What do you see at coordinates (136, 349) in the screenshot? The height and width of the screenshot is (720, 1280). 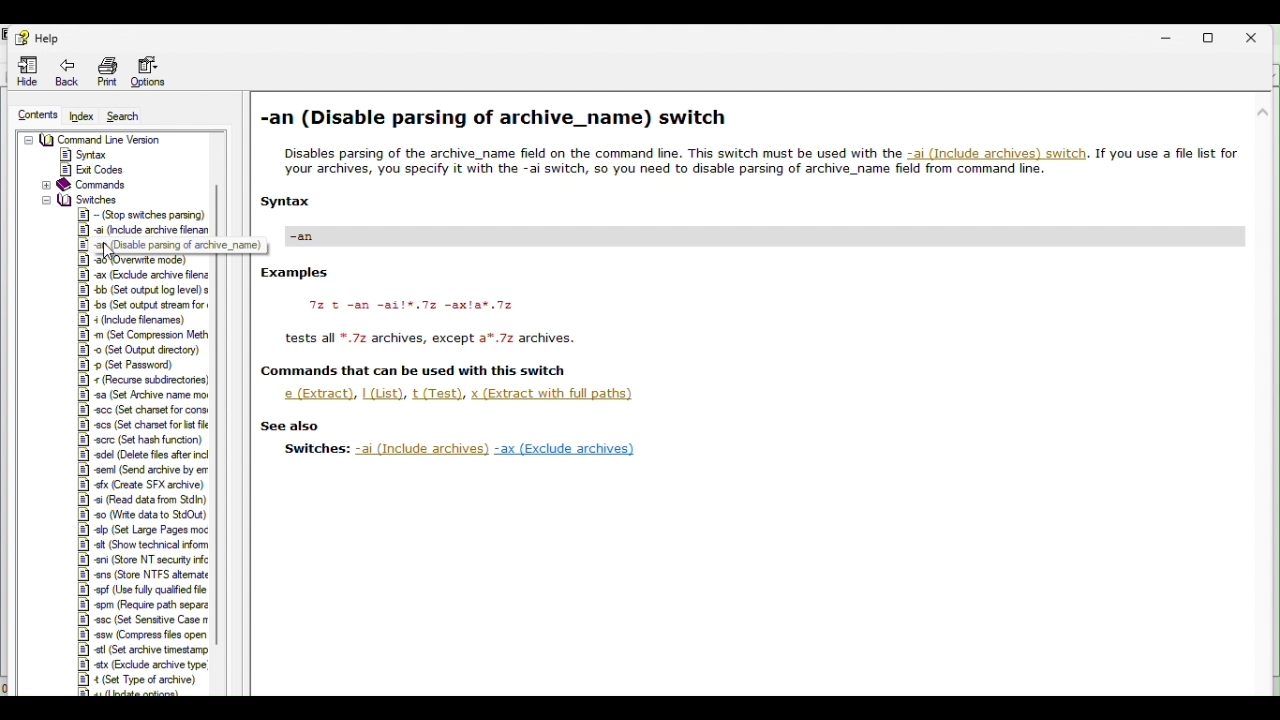 I see `1%] © (Set Output directory)` at bounding box center [136, 349].